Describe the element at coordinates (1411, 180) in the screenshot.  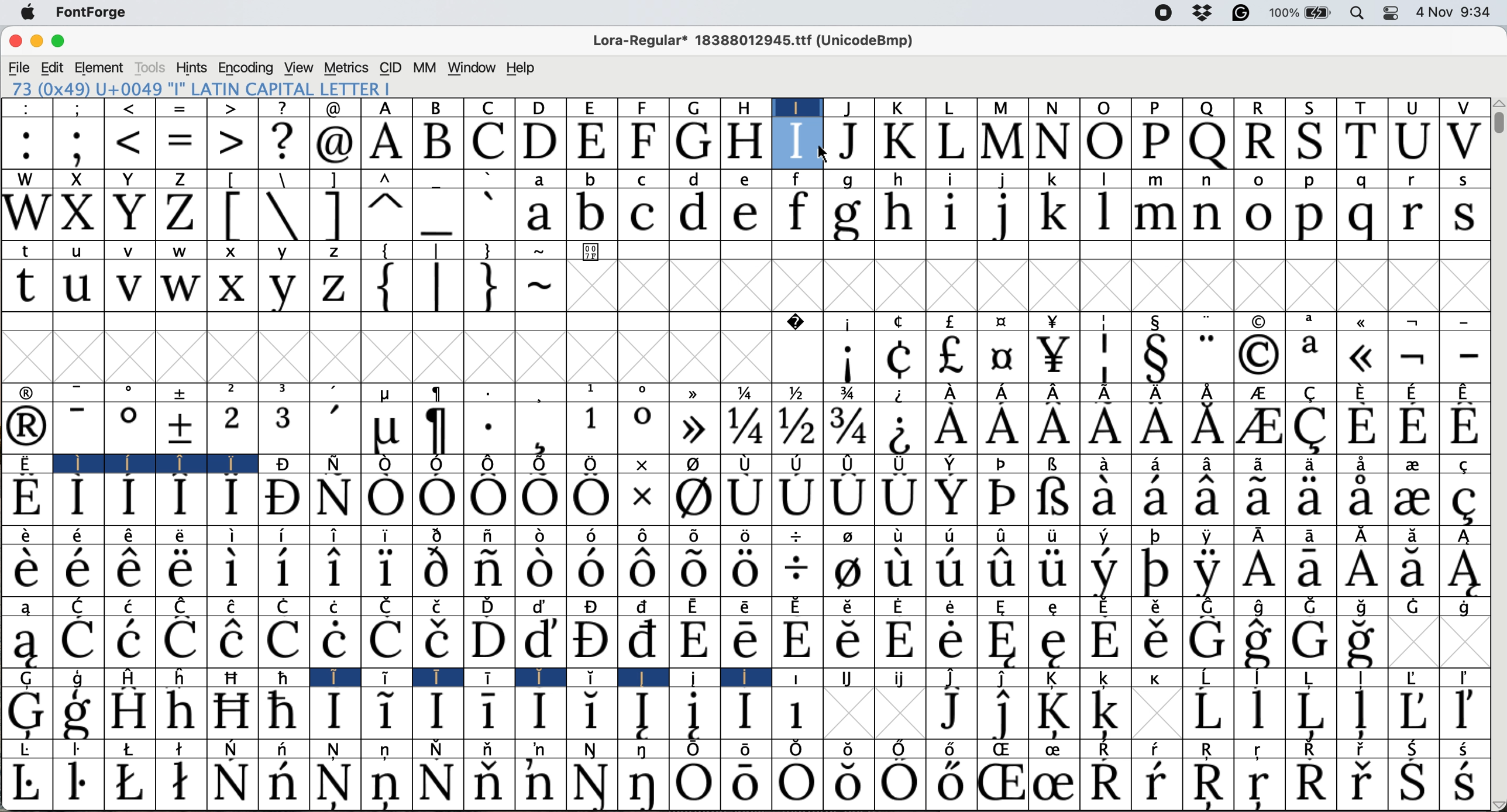
I see `r` at that location.